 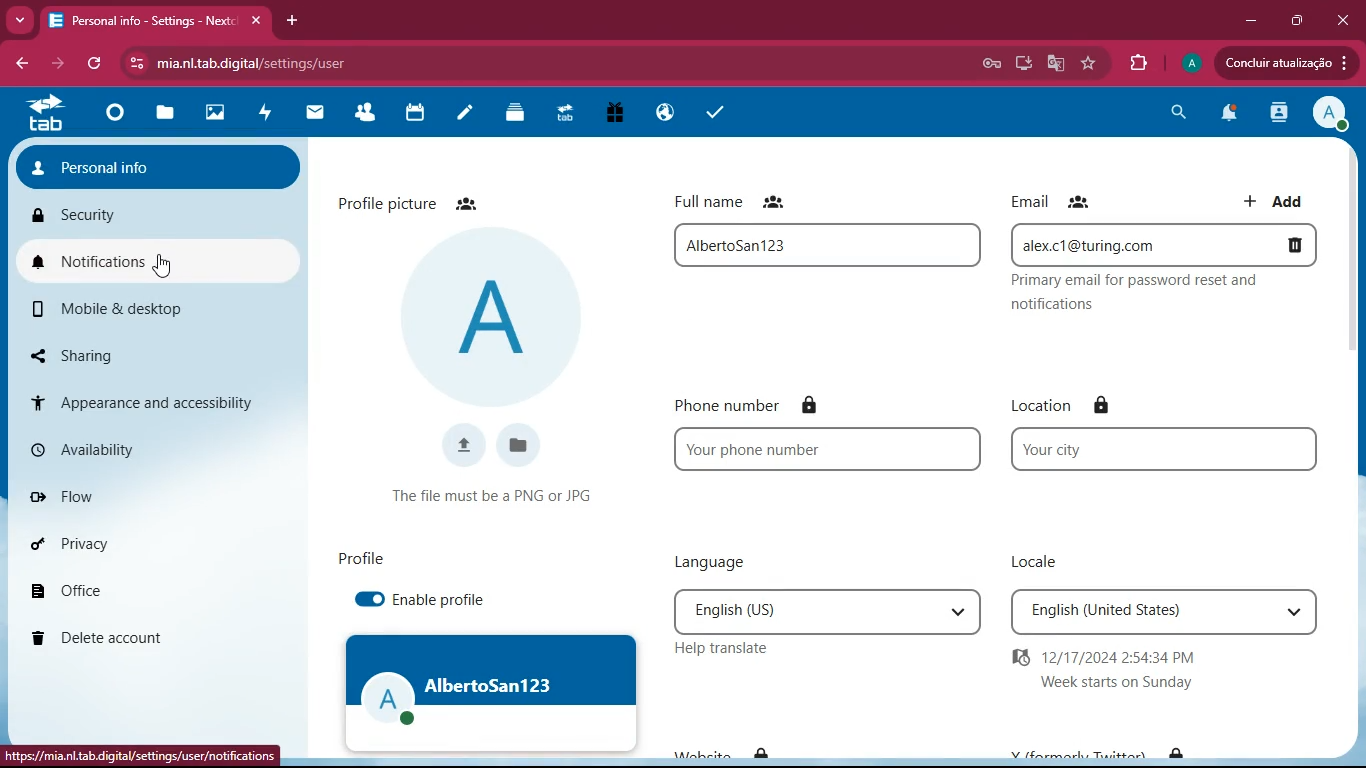 What do you see at coordinates (293, 18) in the screenshot?
I see `add tab` at bounding box center [293, 18].